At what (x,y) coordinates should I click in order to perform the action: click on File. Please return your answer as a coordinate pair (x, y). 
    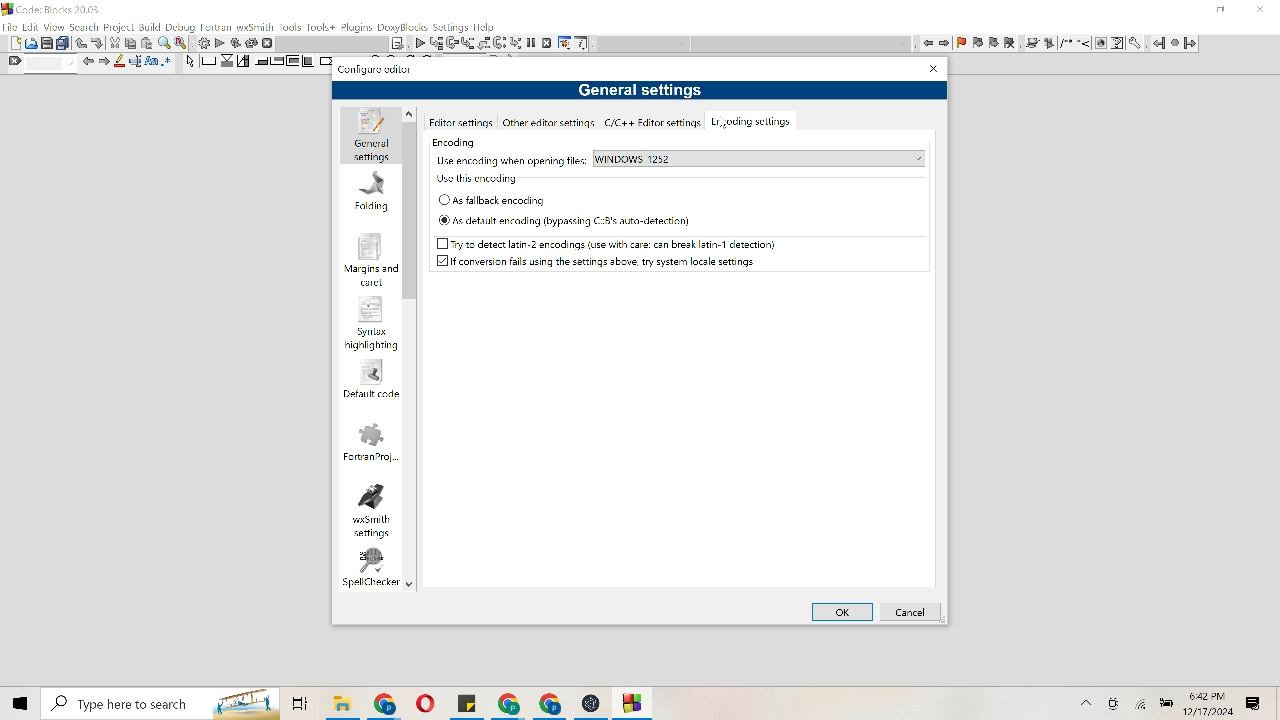
    Looking at the image, I should click on (508, 703).